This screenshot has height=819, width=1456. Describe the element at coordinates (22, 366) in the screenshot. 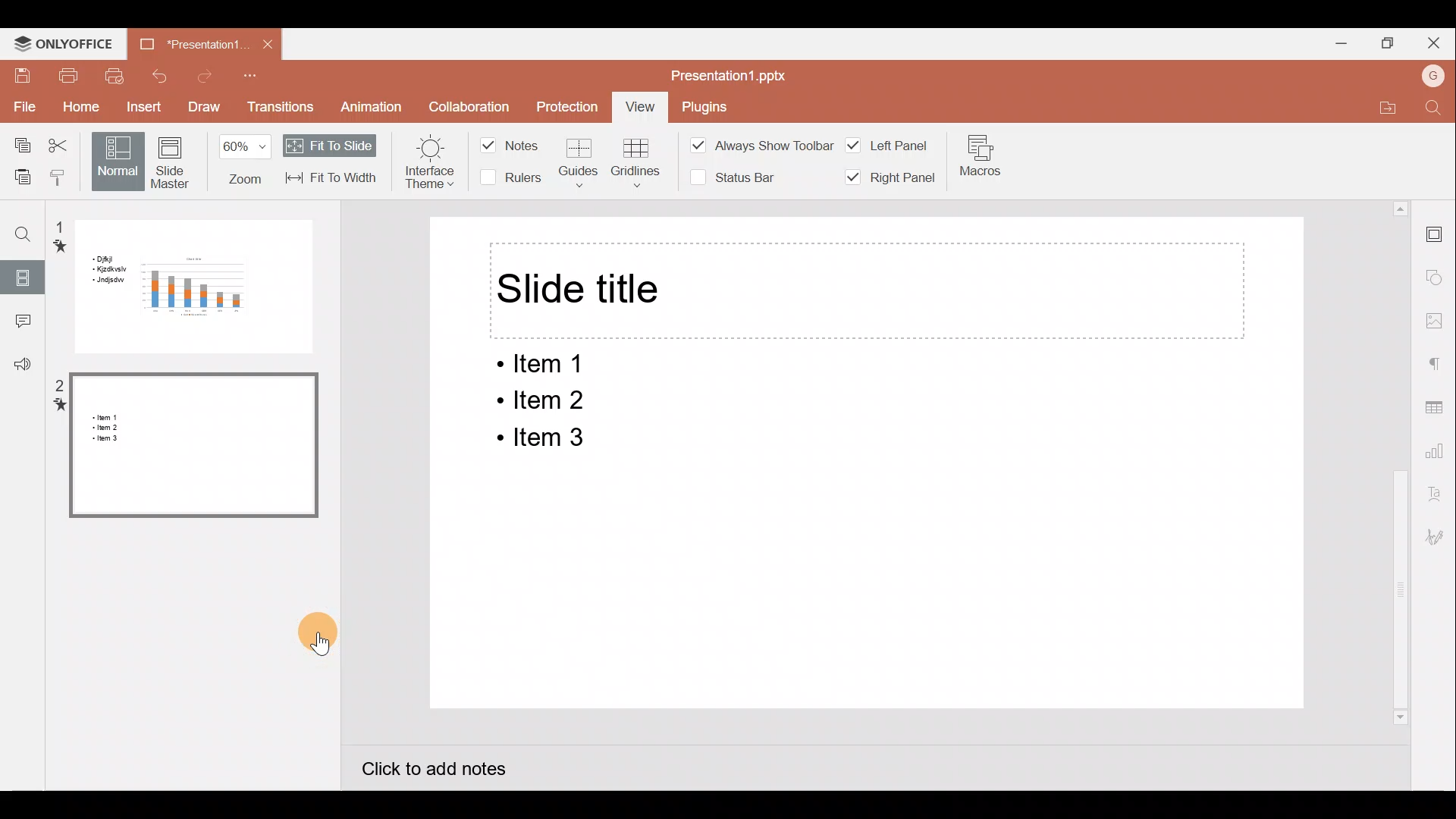

I see `Feedback & support` at that location.